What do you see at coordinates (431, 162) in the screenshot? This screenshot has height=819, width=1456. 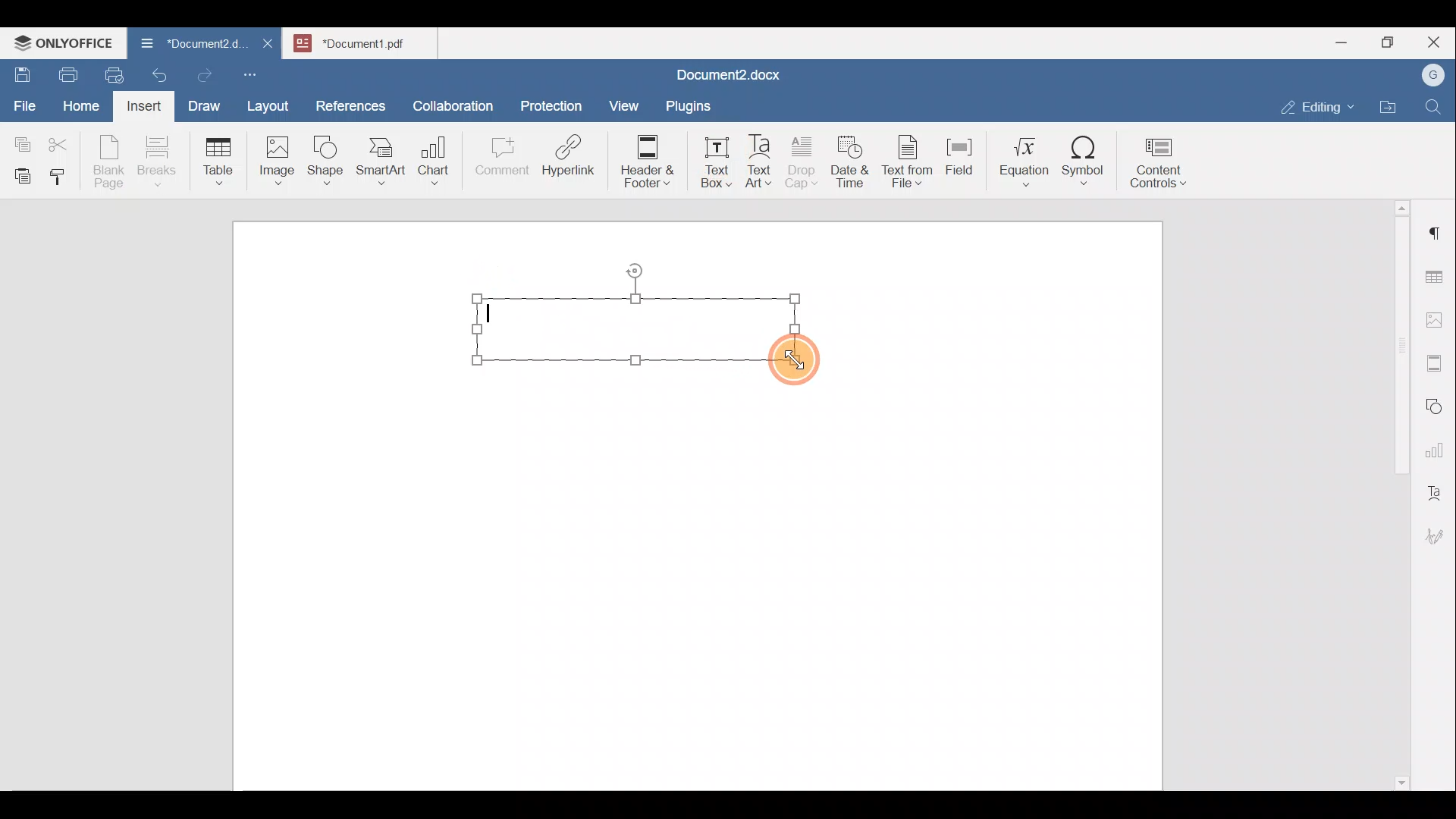 I see `Chart` at bounding box center [431, 162].